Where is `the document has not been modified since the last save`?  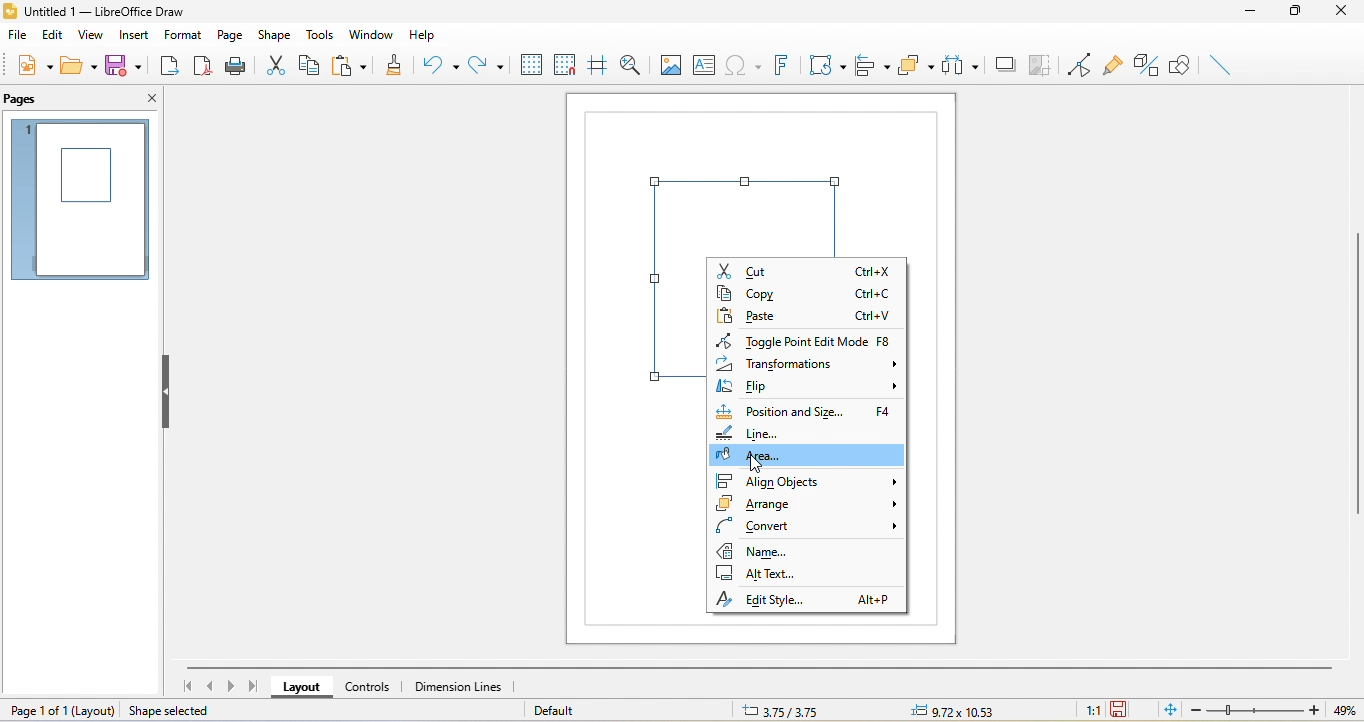 the document has not been modified since the last save is located at coordinates (1126, 710).